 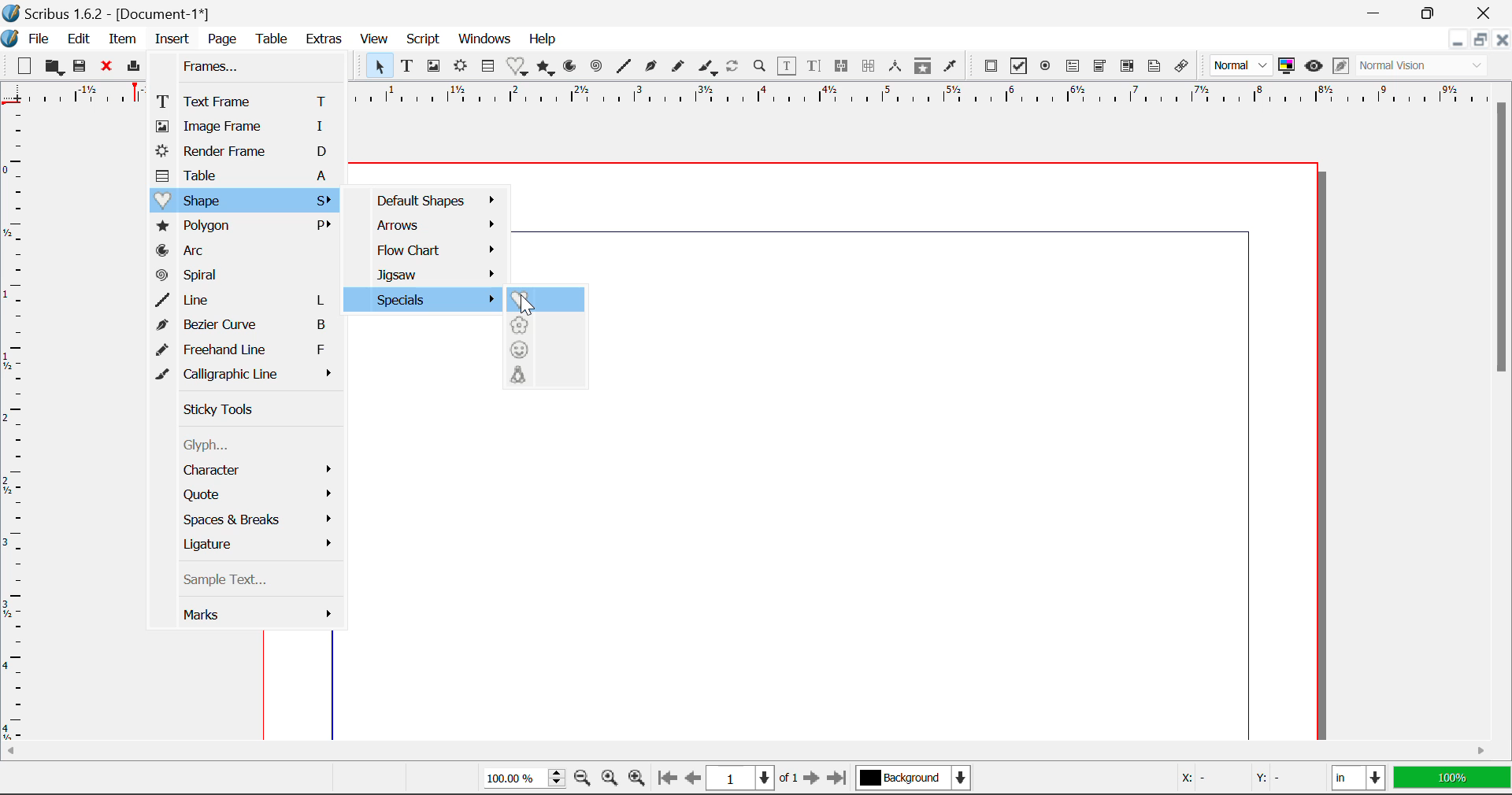 I want to click on Shape Menu Open, so click(x=244, y=200).